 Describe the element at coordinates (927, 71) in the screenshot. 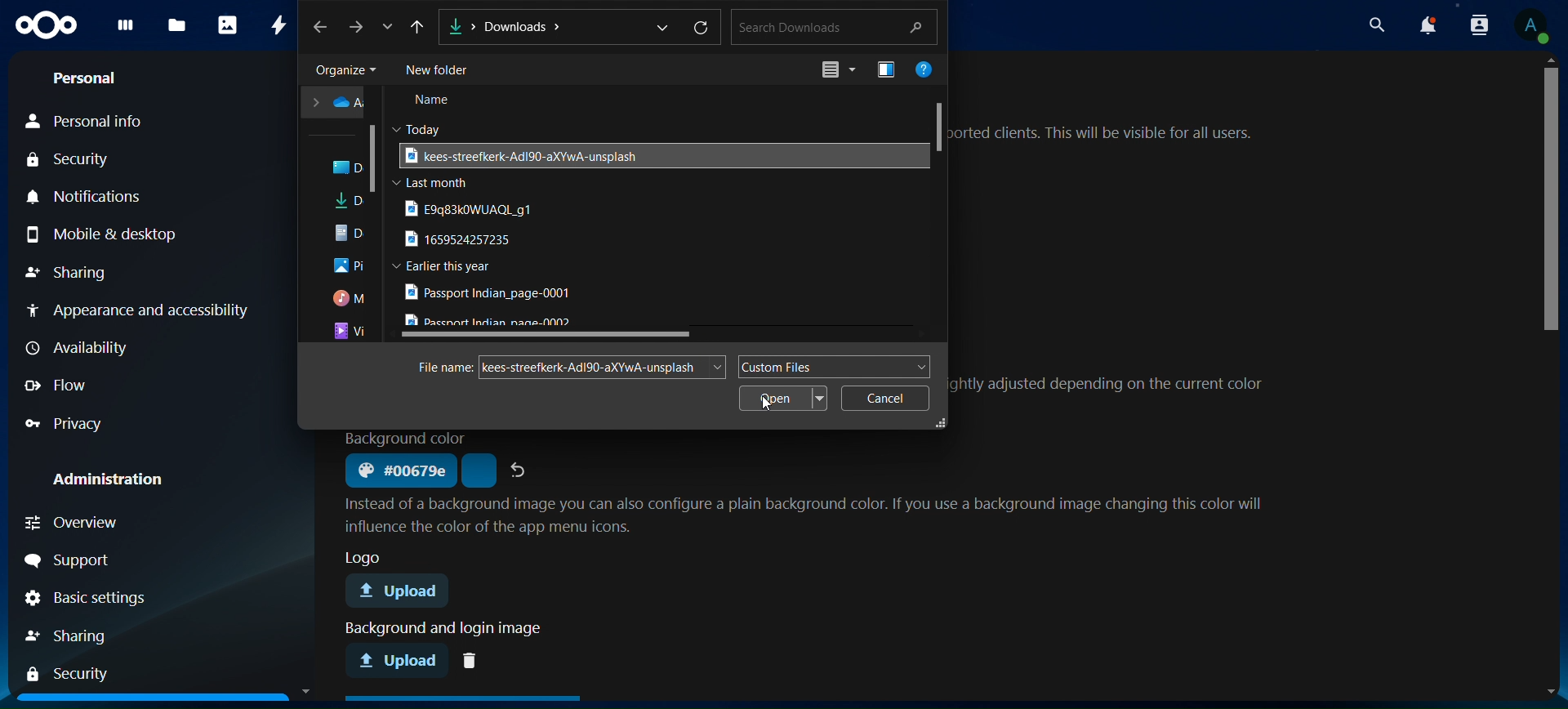

I see `get help` at that location.